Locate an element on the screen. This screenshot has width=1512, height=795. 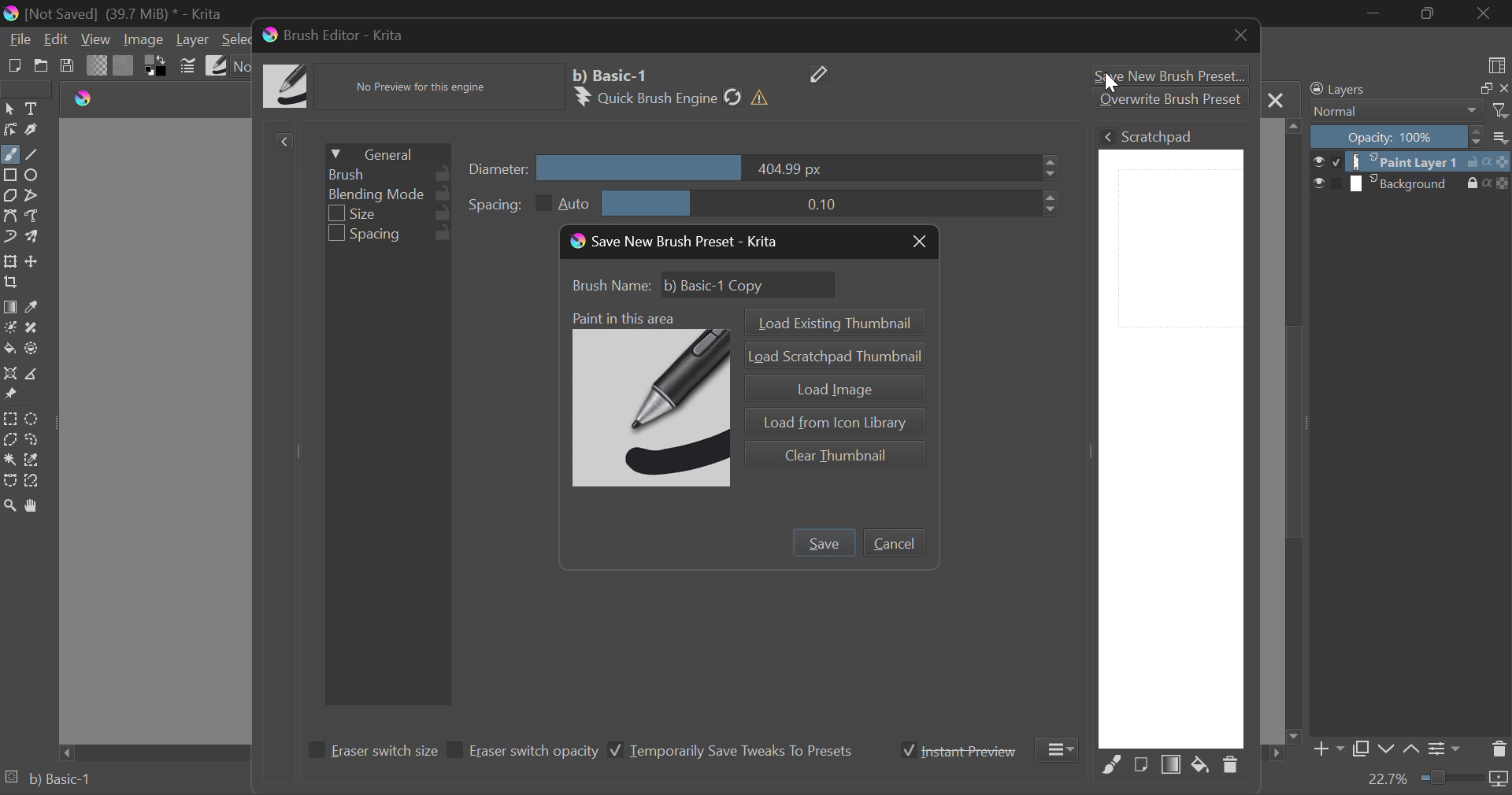
Open is located at coordinates (39, 65).